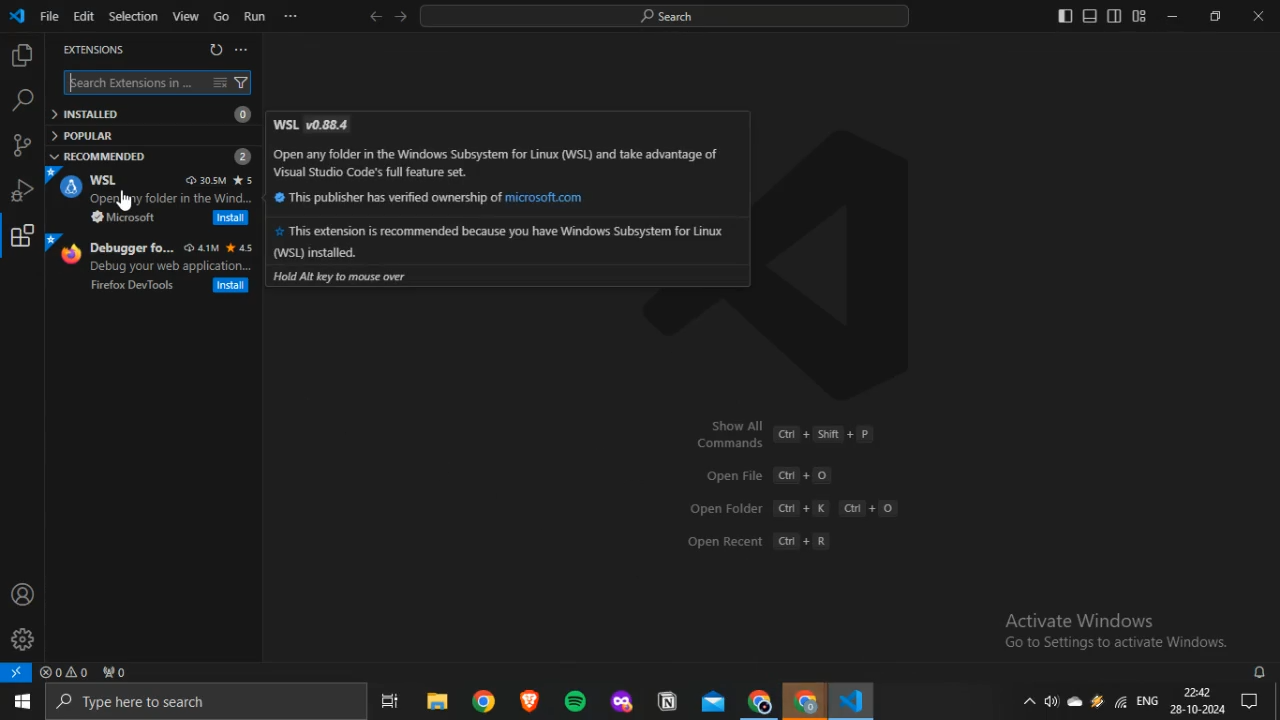  I want to click on This extension is recommended because you have Windows Subsystem for Linux, so click(500, 231).